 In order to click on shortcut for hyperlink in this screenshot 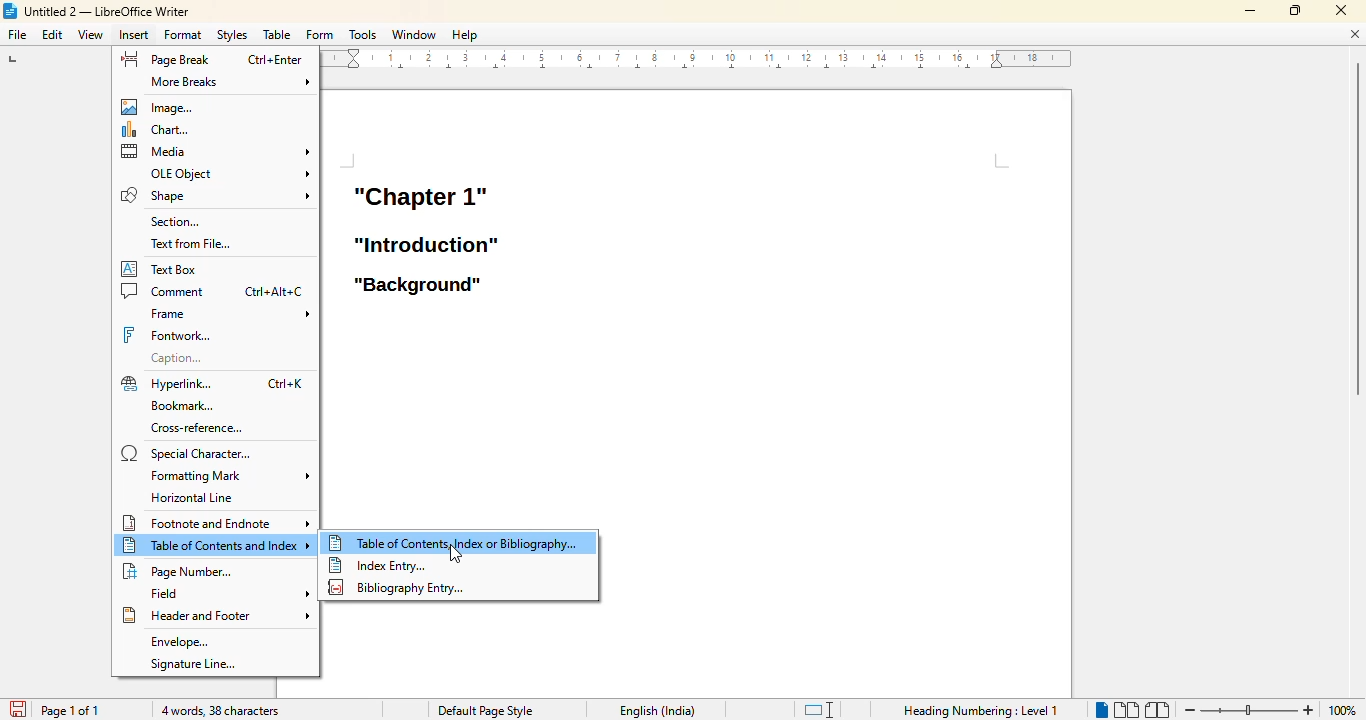, I will do `click(285, 384)`.